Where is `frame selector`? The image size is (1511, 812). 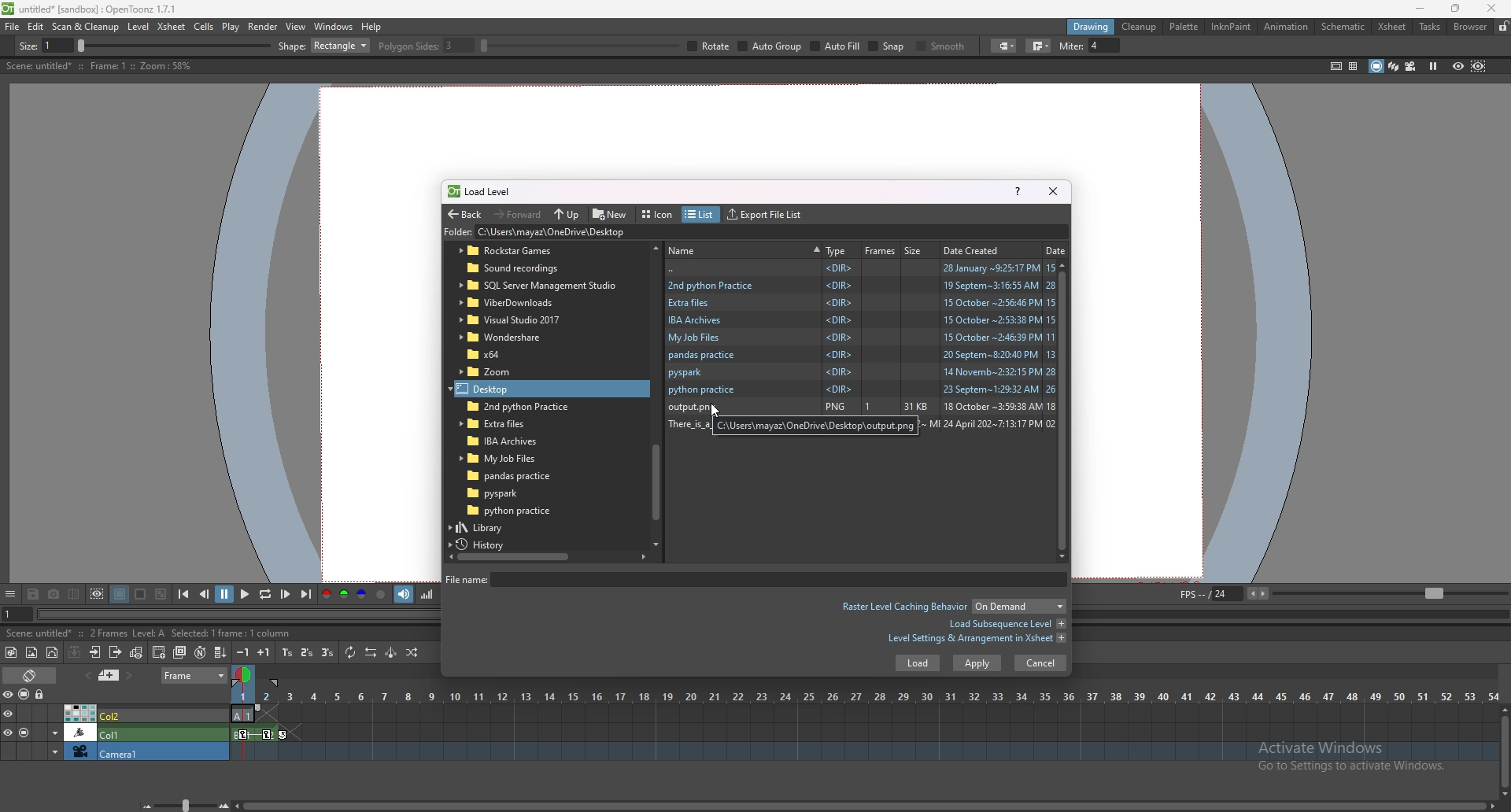 frame selector is located at coordinates (245, 674).